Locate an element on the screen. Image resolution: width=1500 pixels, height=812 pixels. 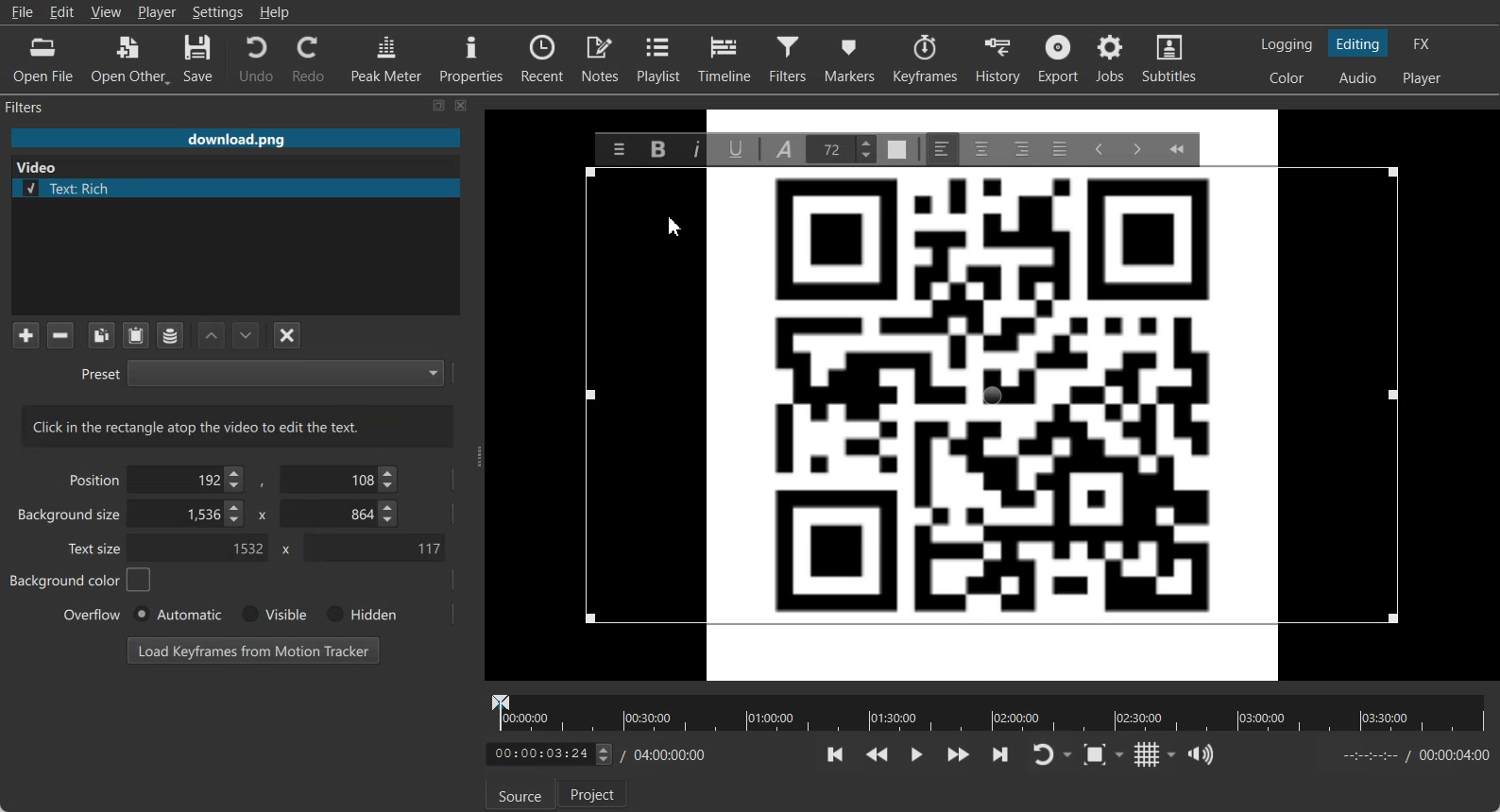
Right is located at coordinates (1021, 148).